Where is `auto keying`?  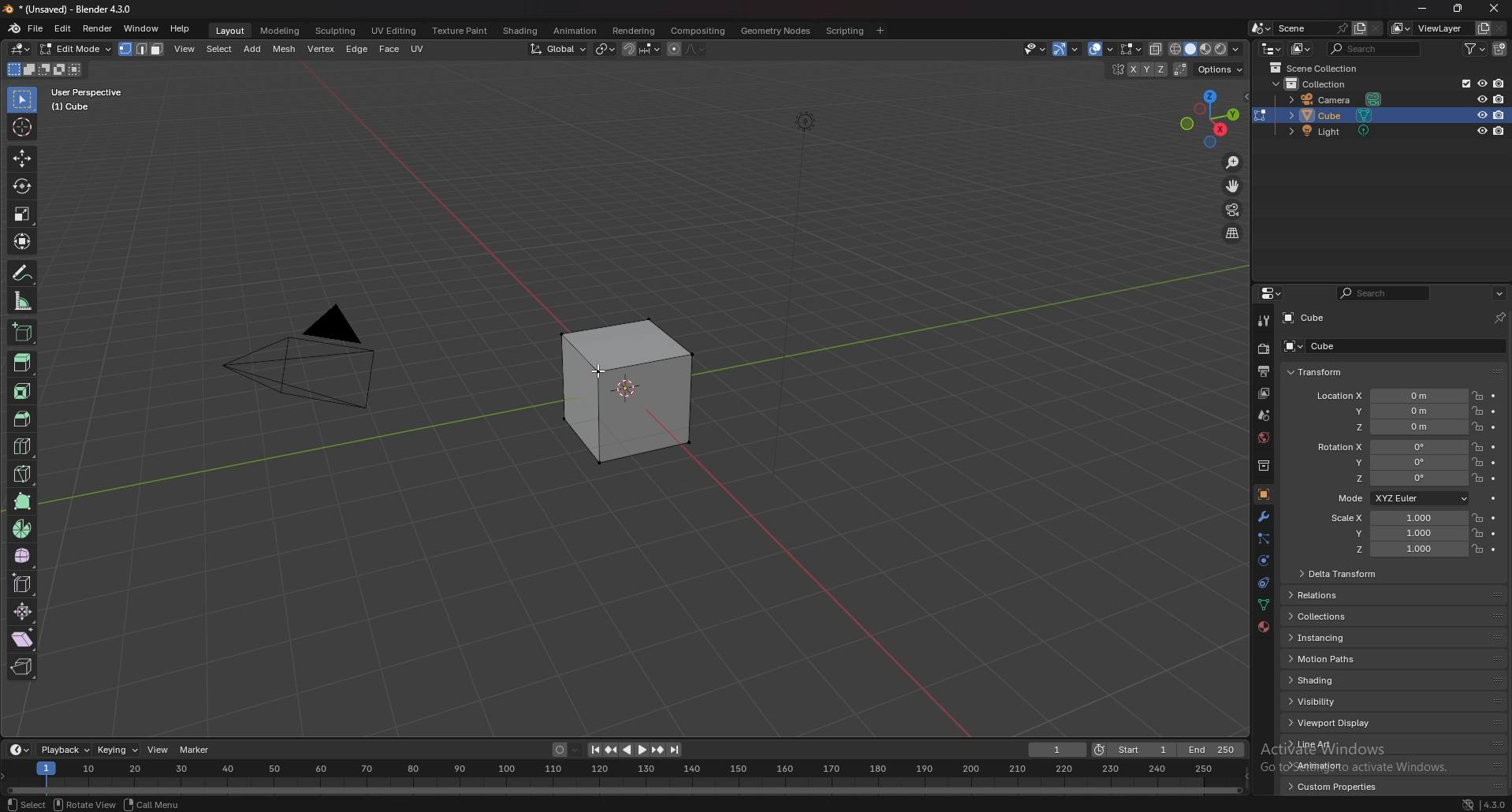 auto keying is located at coordinates (564, 750).